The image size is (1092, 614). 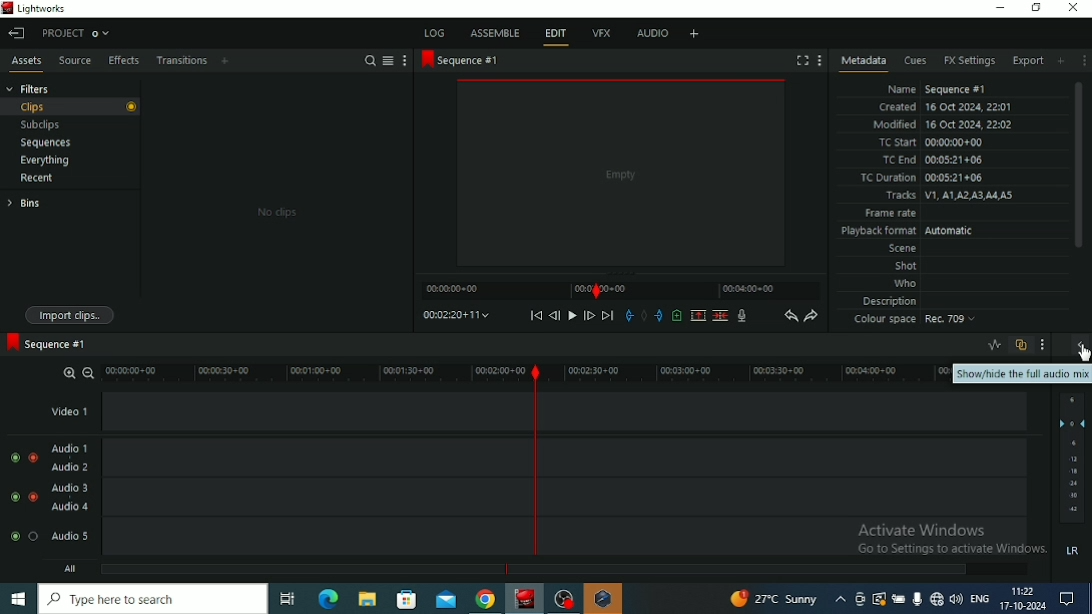 What do you see at coordinates (904, 283) in the screenshot?
I see `Who` at bounding box center [904, 283].